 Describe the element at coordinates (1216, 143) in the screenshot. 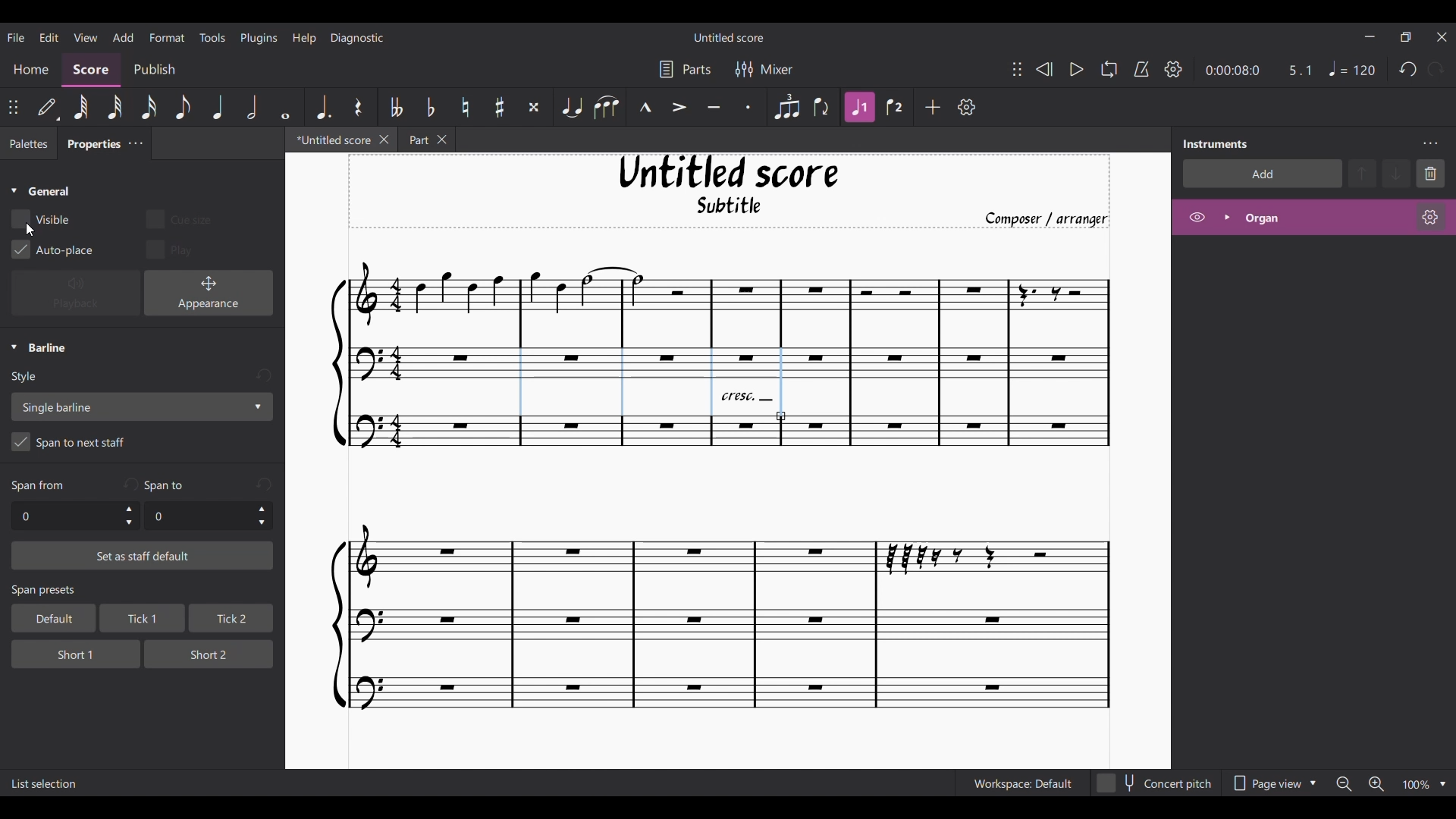

I see `Panel title` at that location.